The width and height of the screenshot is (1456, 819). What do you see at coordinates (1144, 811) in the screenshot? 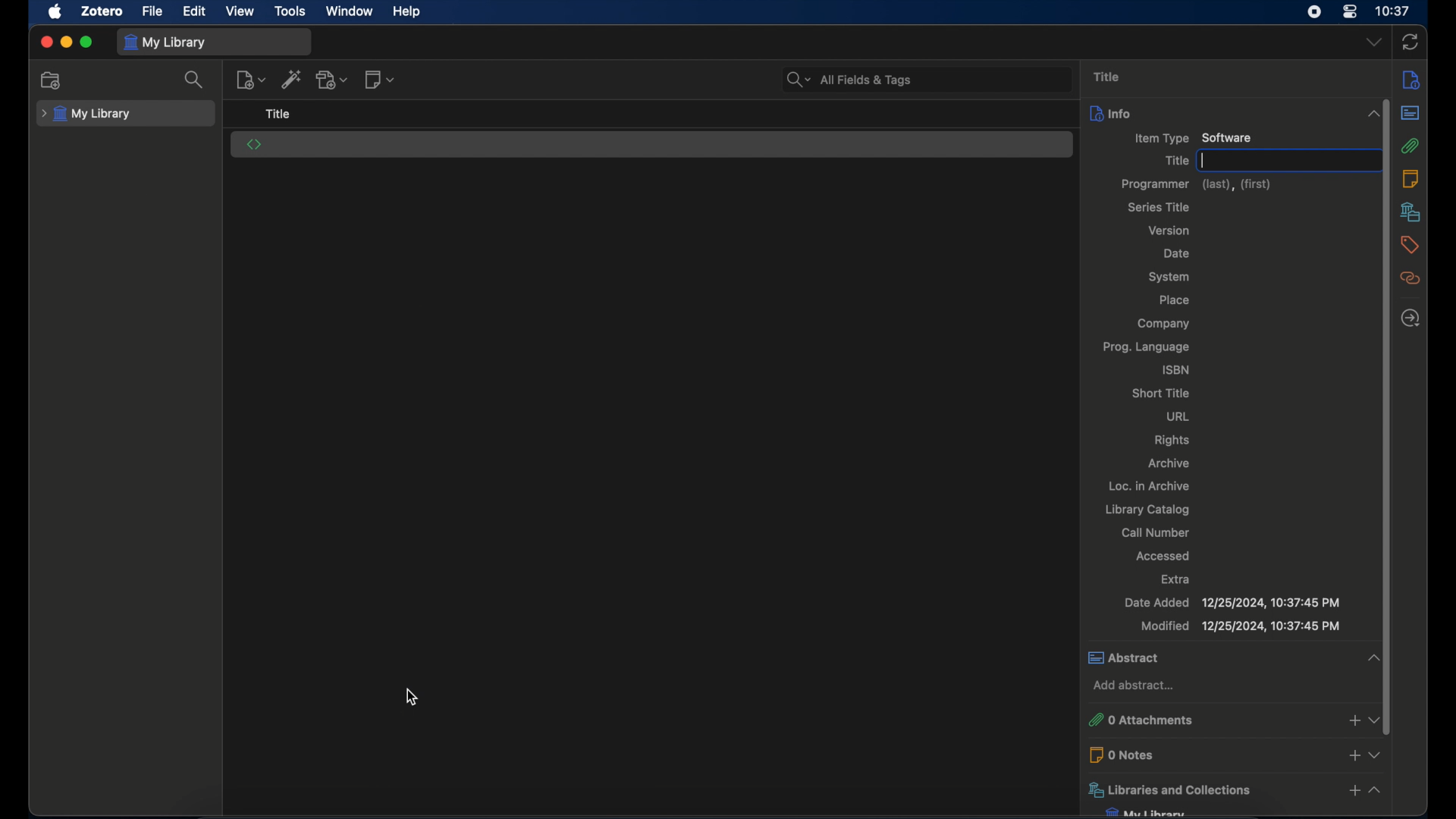
I see `my library` at bounding box center [1144, 811].